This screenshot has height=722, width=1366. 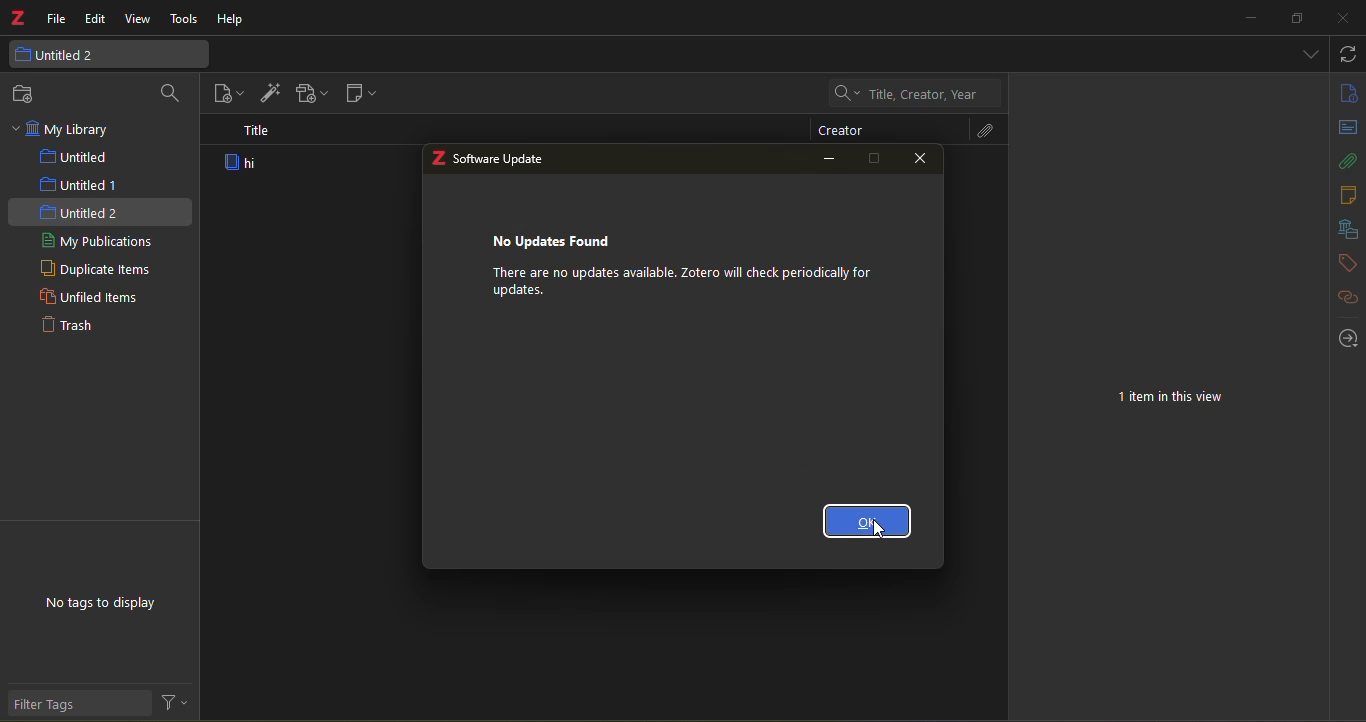 What do you see at coordinates (1345, 228) in the screenshot?
I see `library` at bounding box center [1345, 228].